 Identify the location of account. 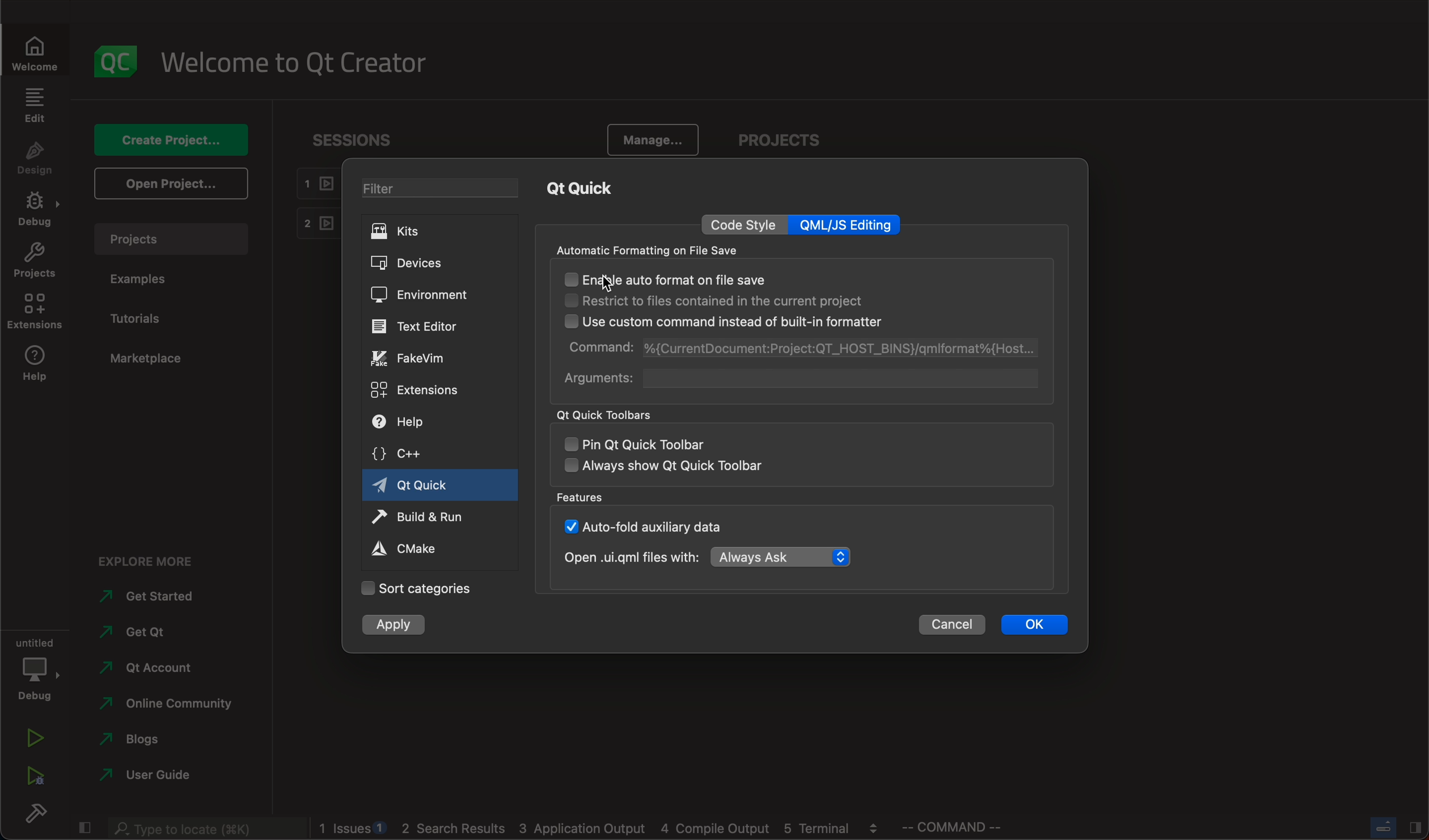
(148, 667).